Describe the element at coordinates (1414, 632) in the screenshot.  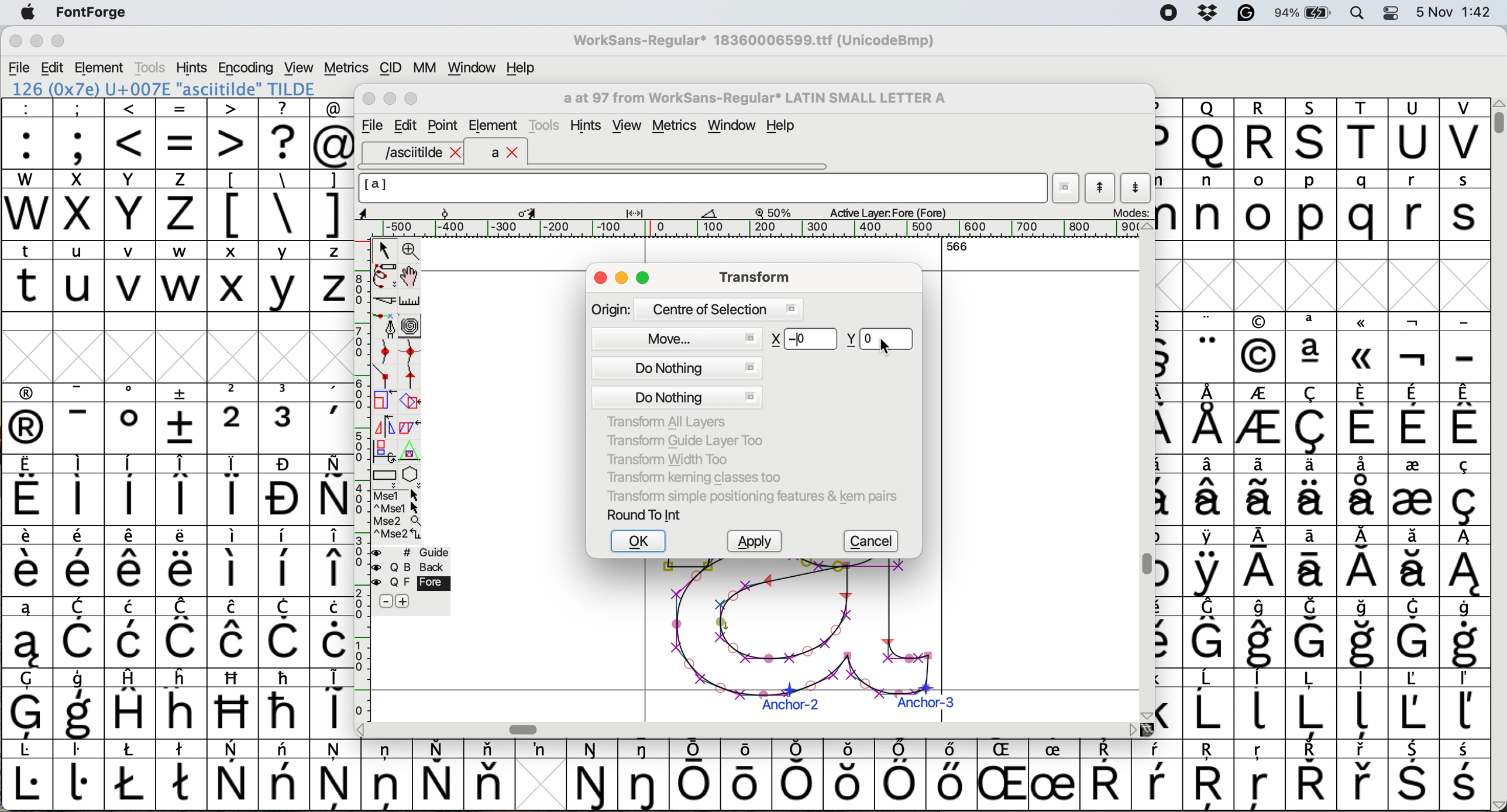
I see `symbol` at that location.